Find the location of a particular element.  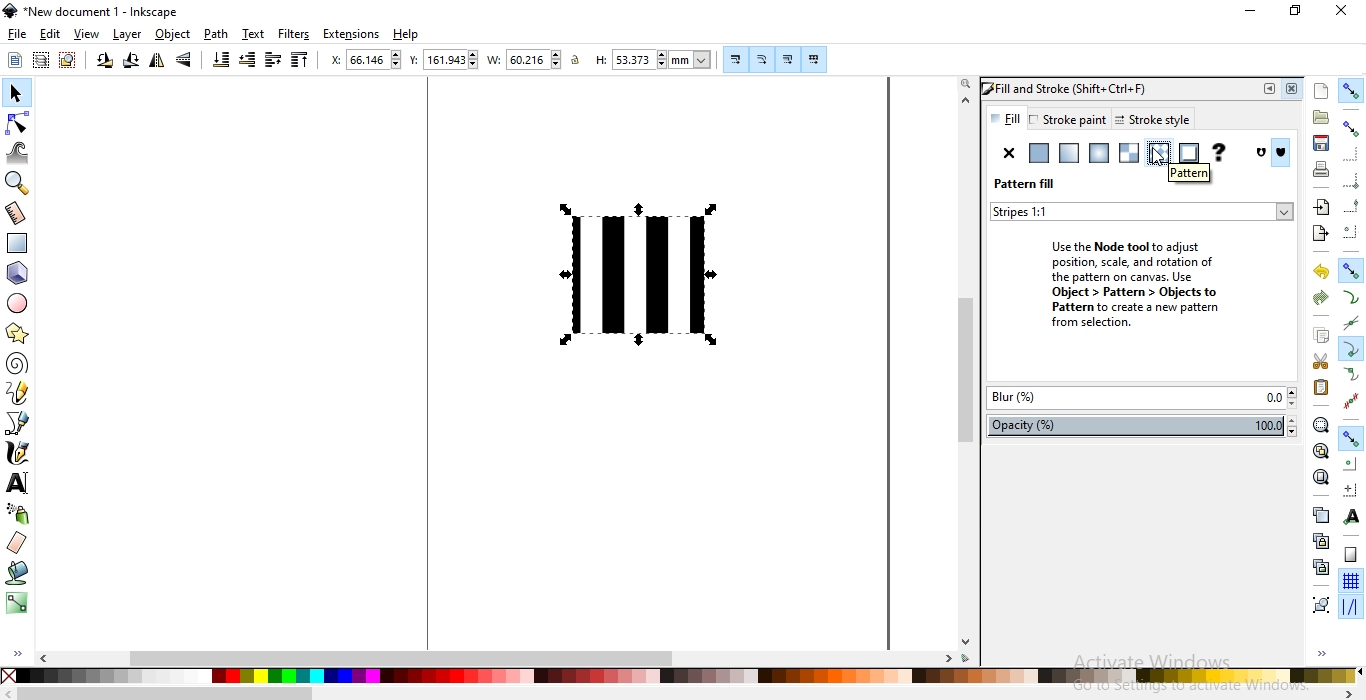

minimize is located at coordinates (1252, 12).